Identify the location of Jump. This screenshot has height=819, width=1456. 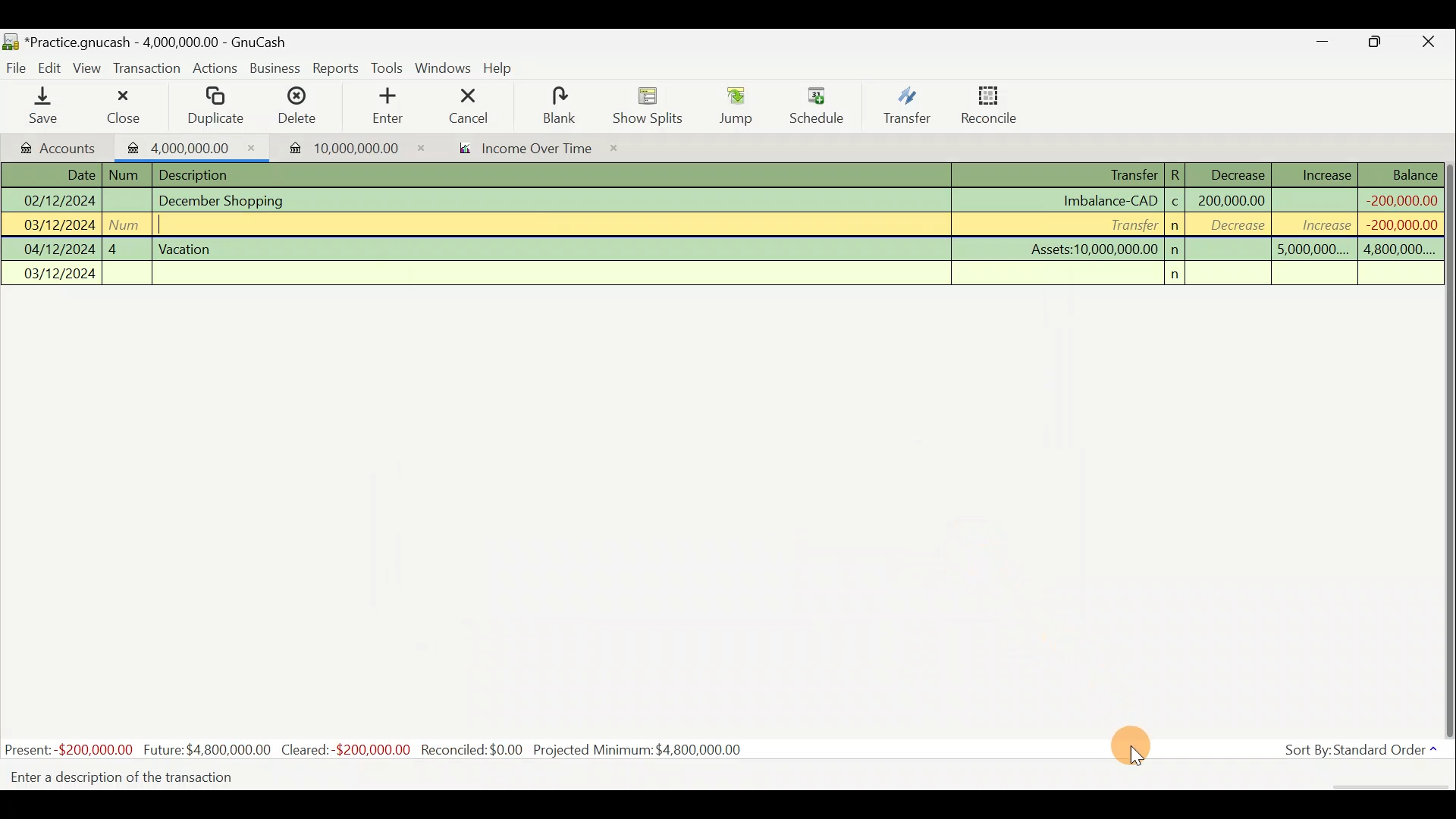
(730, 106).